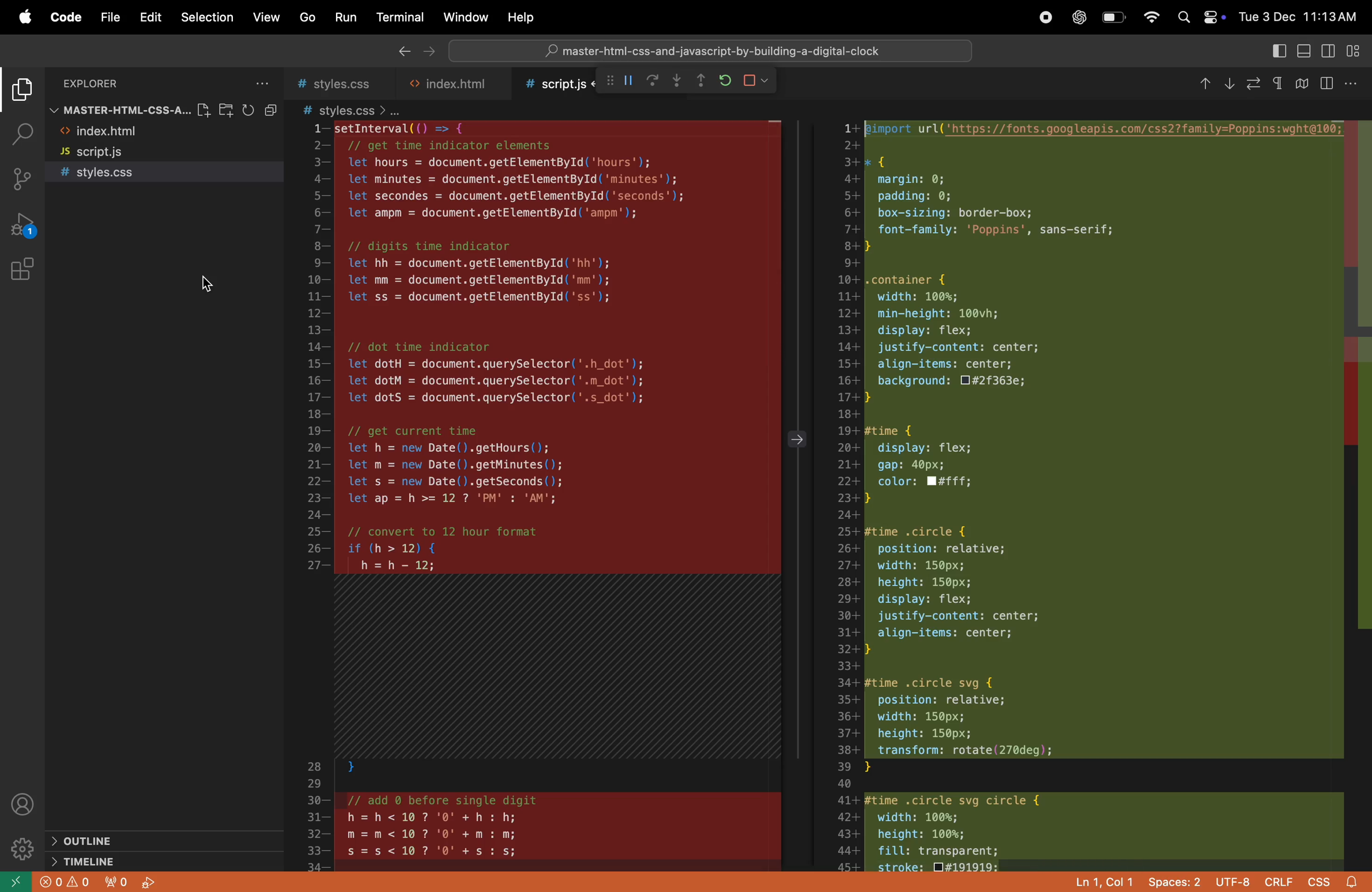  Describe the element at coordinates (1338, 83) in the screenshot. I see `split editor` at that location.